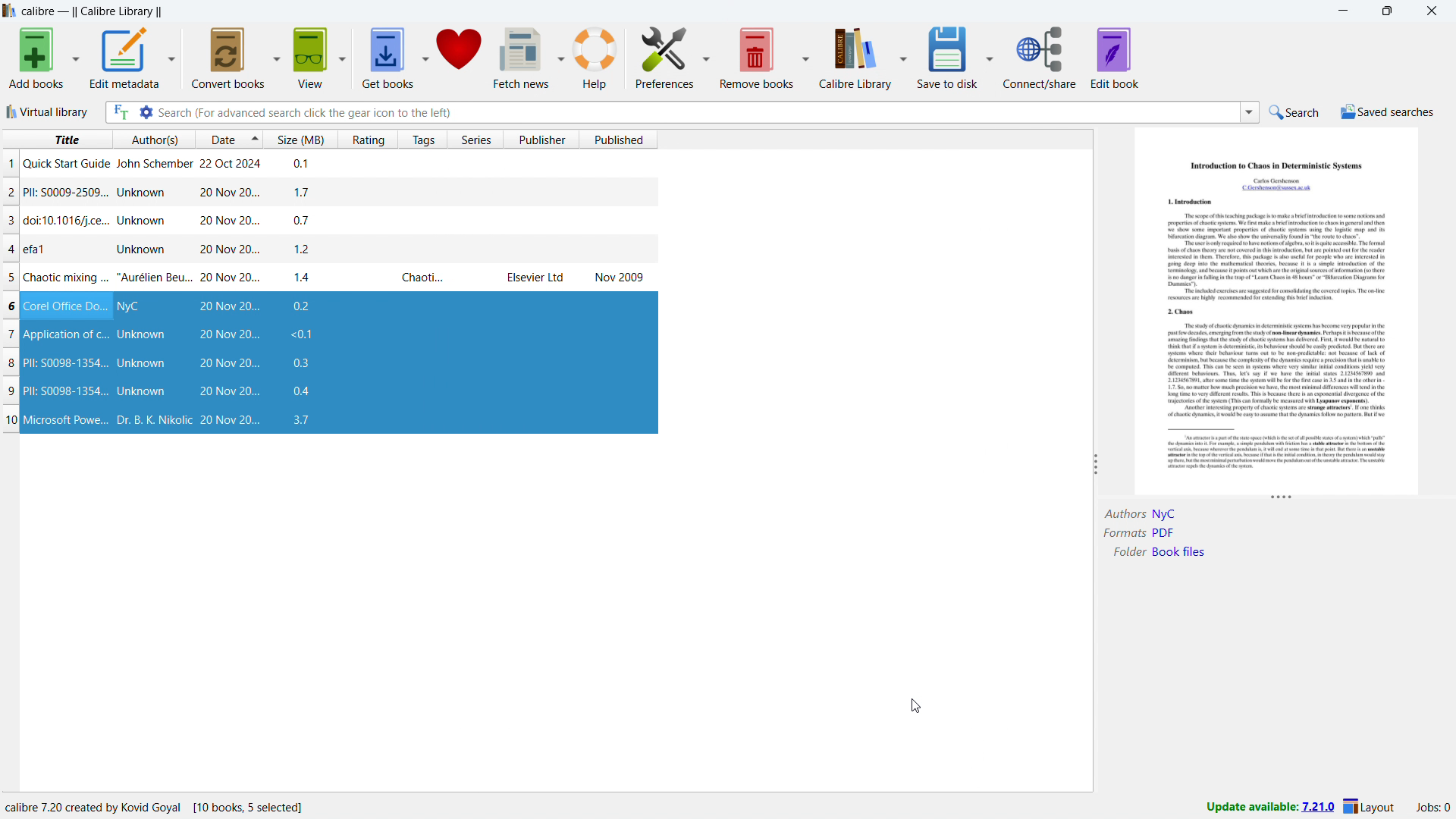 Image resolution: width=1456 pixels, height=819 pixels. Describe the element at coordinates (1250, 113) in the screenshot. I see `search history` at that location.